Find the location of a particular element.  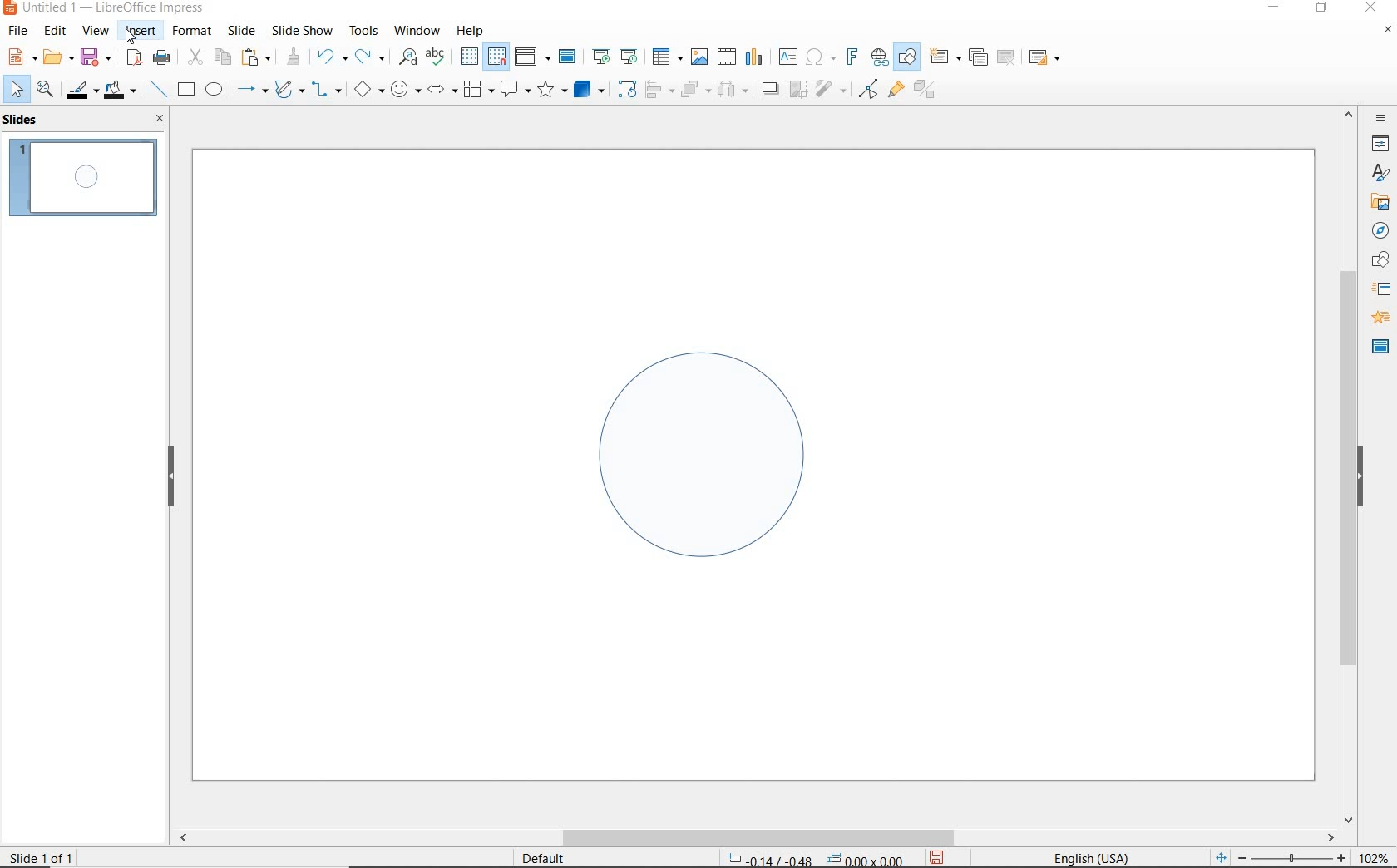

copy is located at coordinates (222, 57).